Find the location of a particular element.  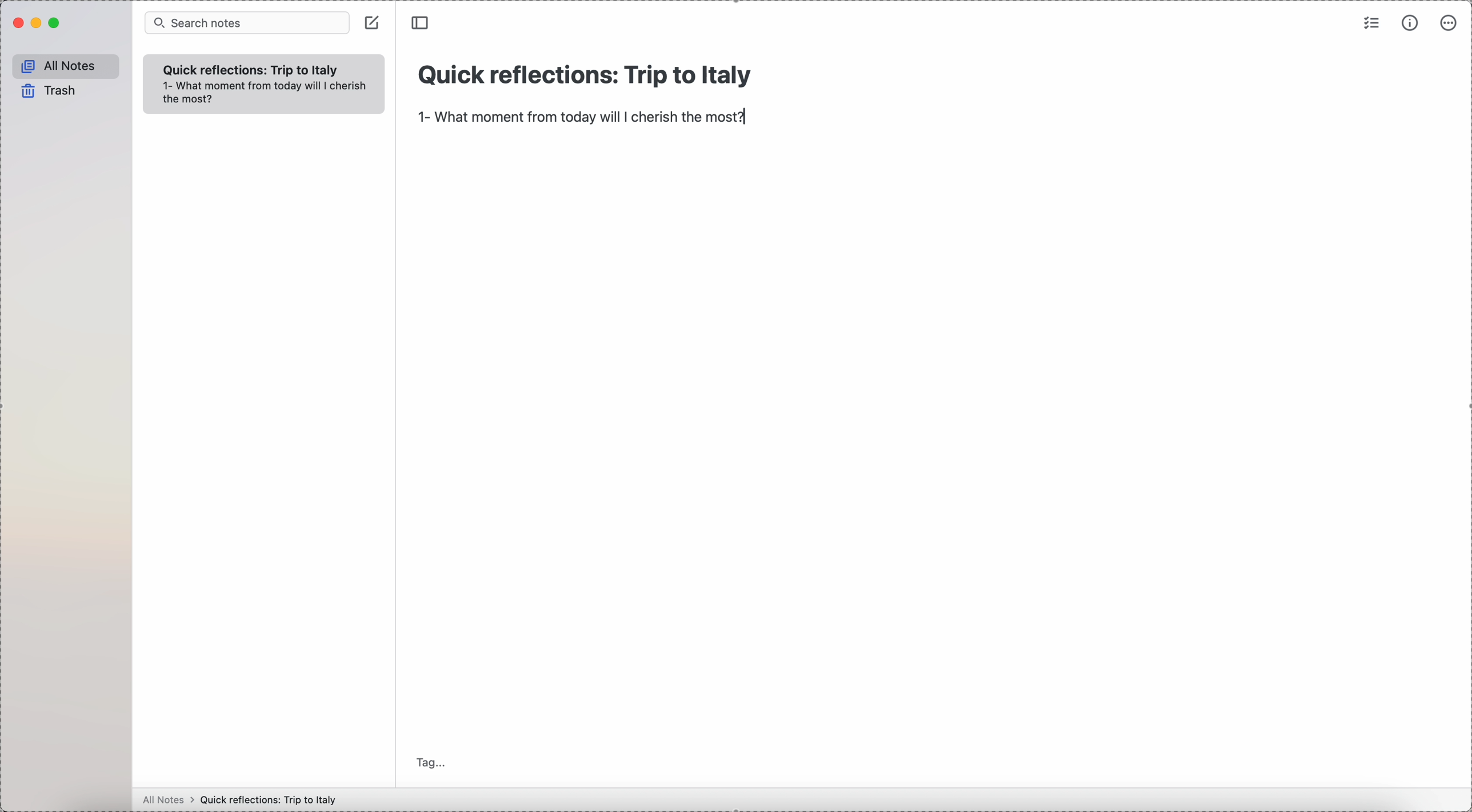

metrics is located at coordinates (1411, 22).